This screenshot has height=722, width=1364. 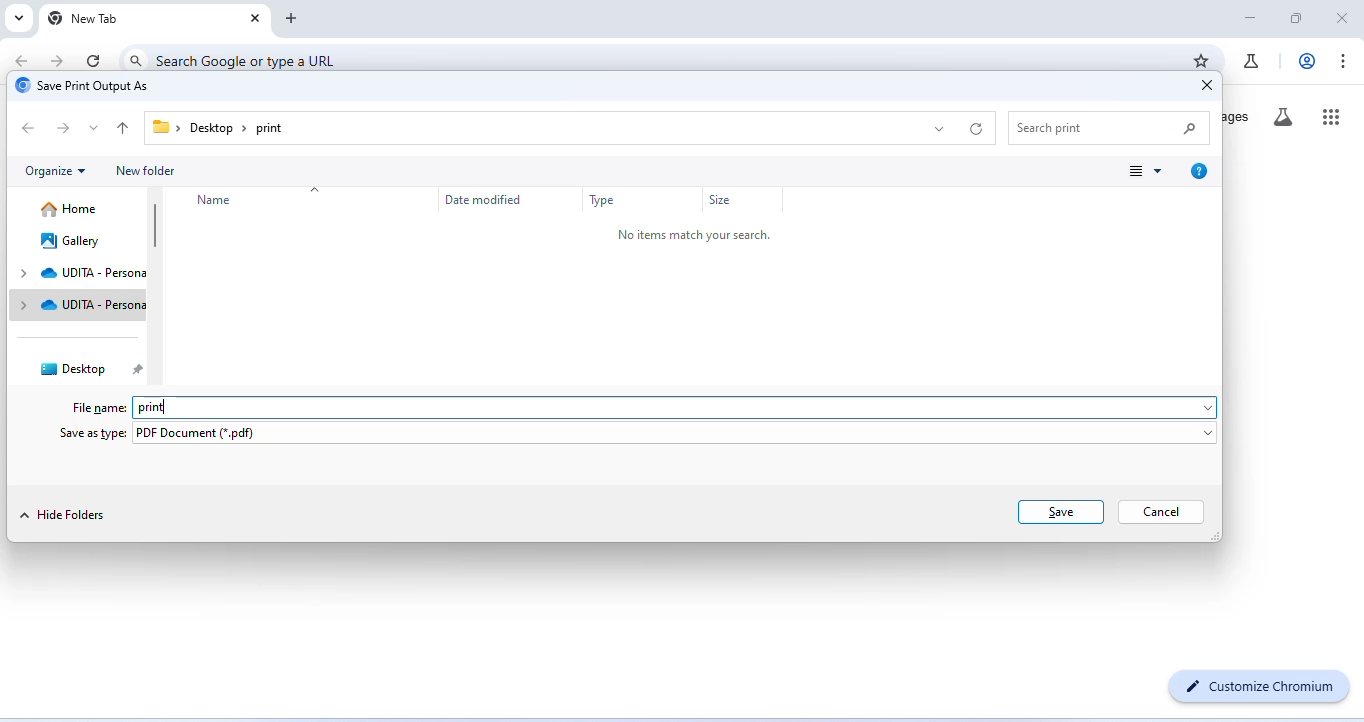 I want to click on account, so click(x=1308, y=61).